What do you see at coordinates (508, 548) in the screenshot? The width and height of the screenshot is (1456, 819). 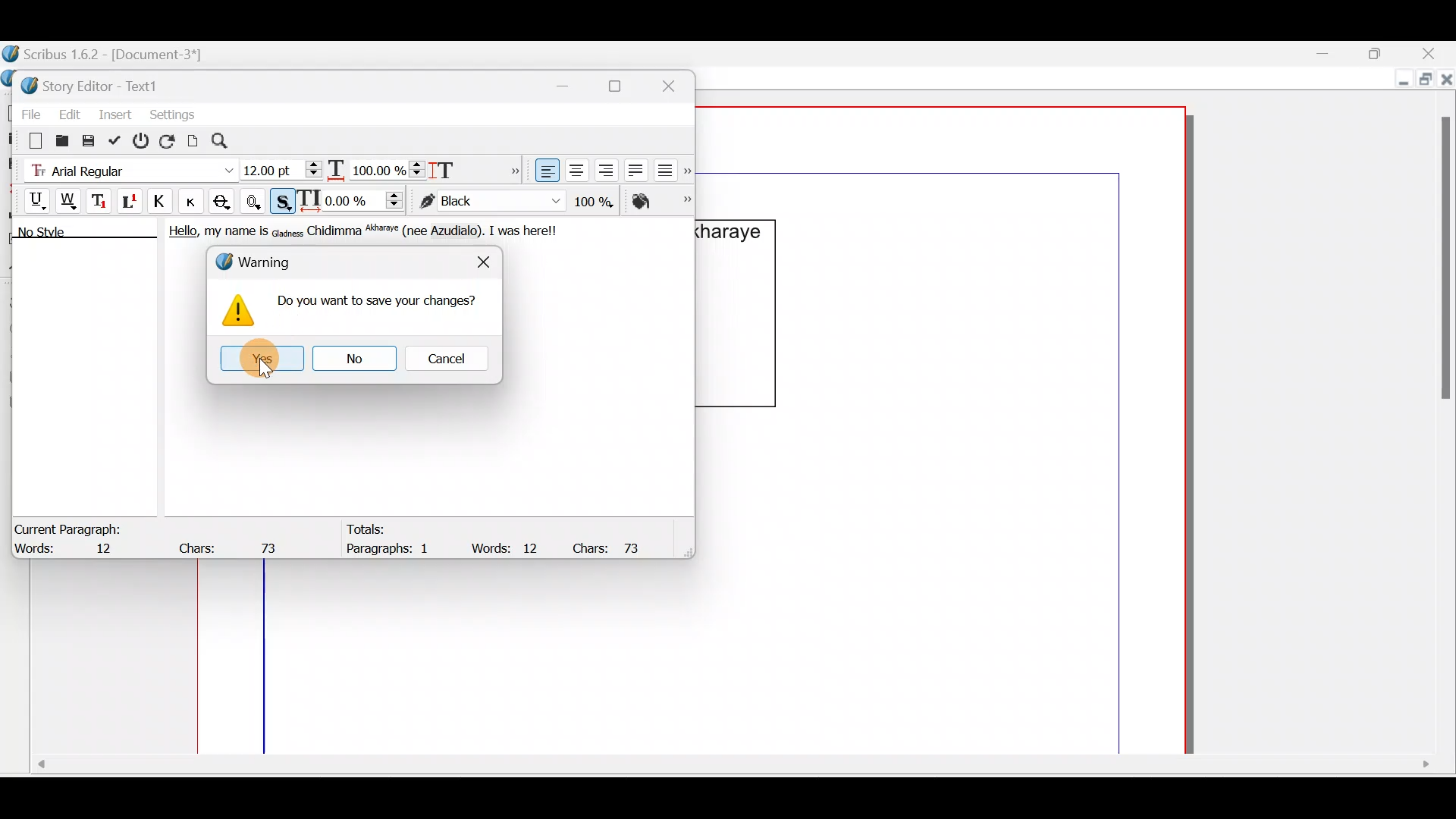 I see `Words: 12` at bounding box center [508, 548].